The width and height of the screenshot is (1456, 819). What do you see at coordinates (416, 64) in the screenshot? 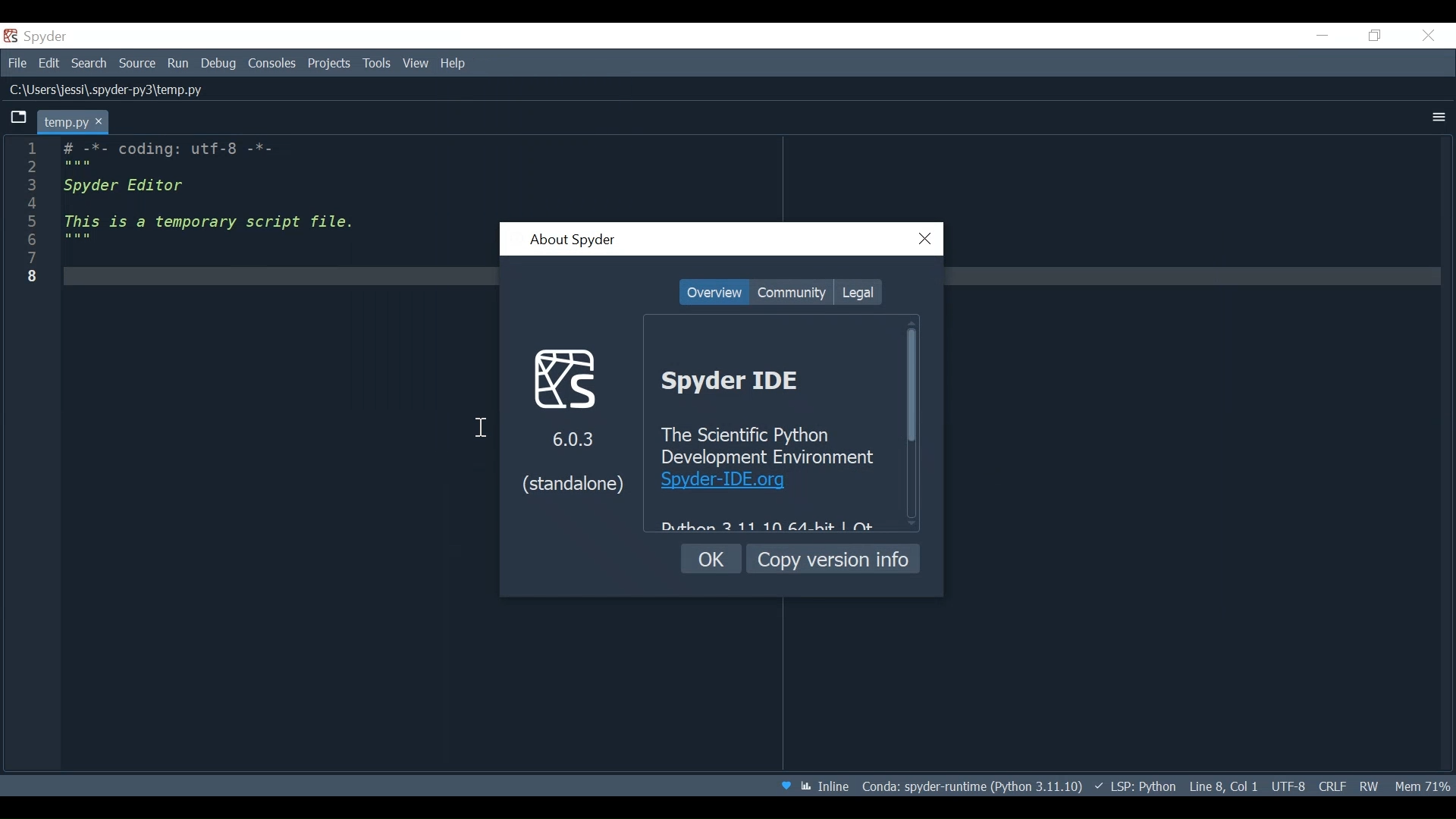
I see `View` at bounding box center [416, 64].